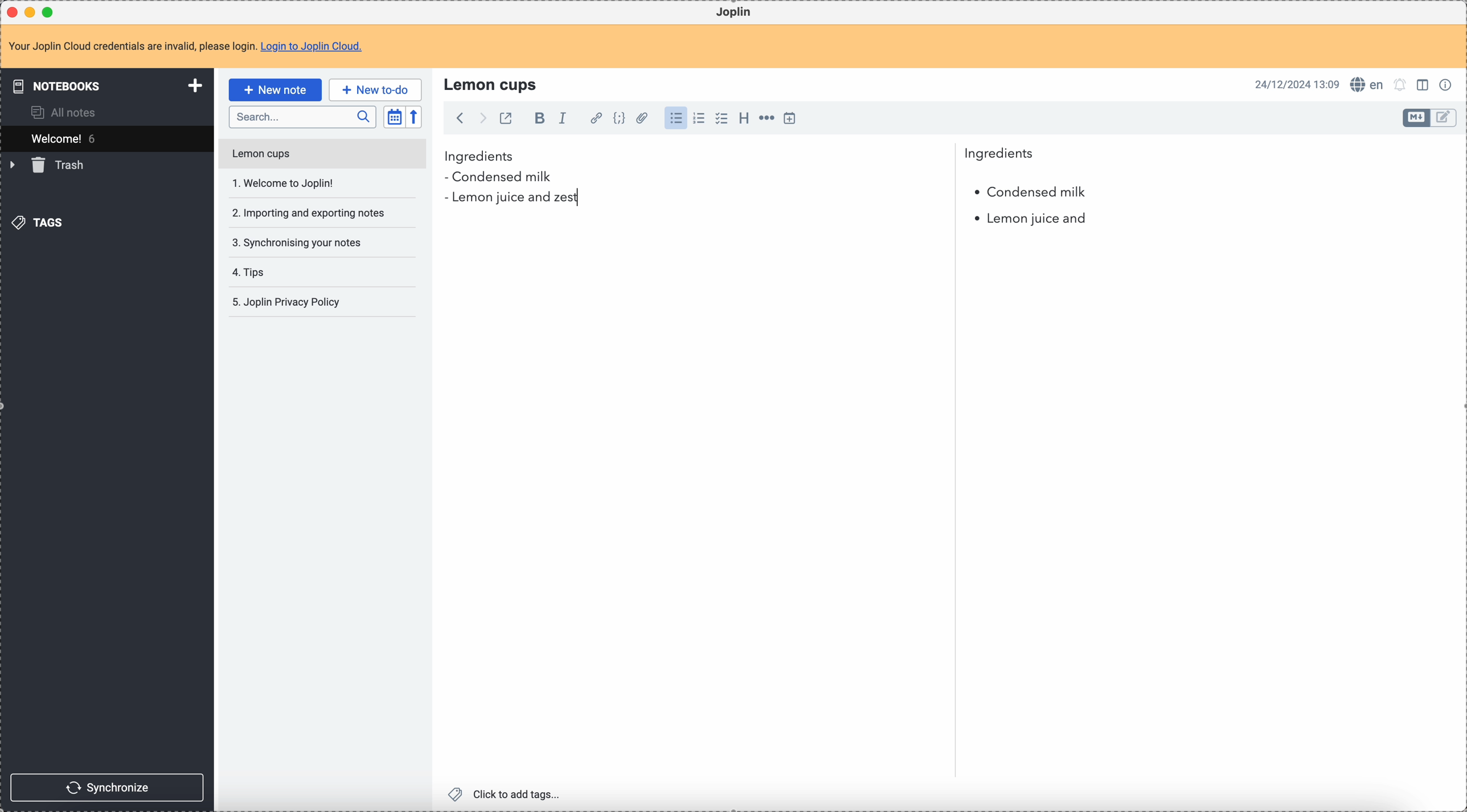 This screenshot has width=1467, height=812. What do you see at coordinates (394, 117) in the screenshot?
I see `toggle sort order field` at bounding box center [394, 117].